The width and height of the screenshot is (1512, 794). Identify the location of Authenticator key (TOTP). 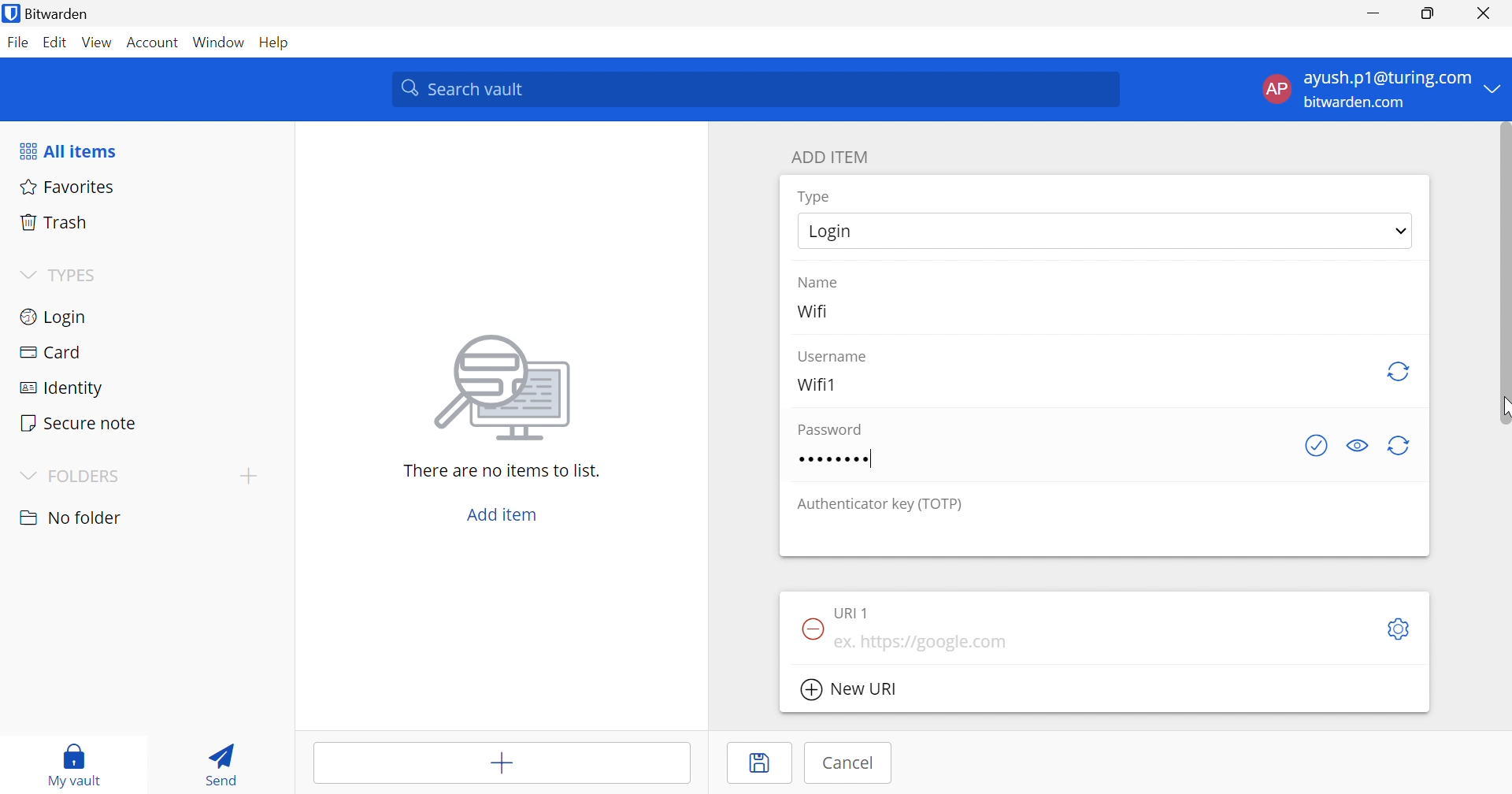
(880, 504).